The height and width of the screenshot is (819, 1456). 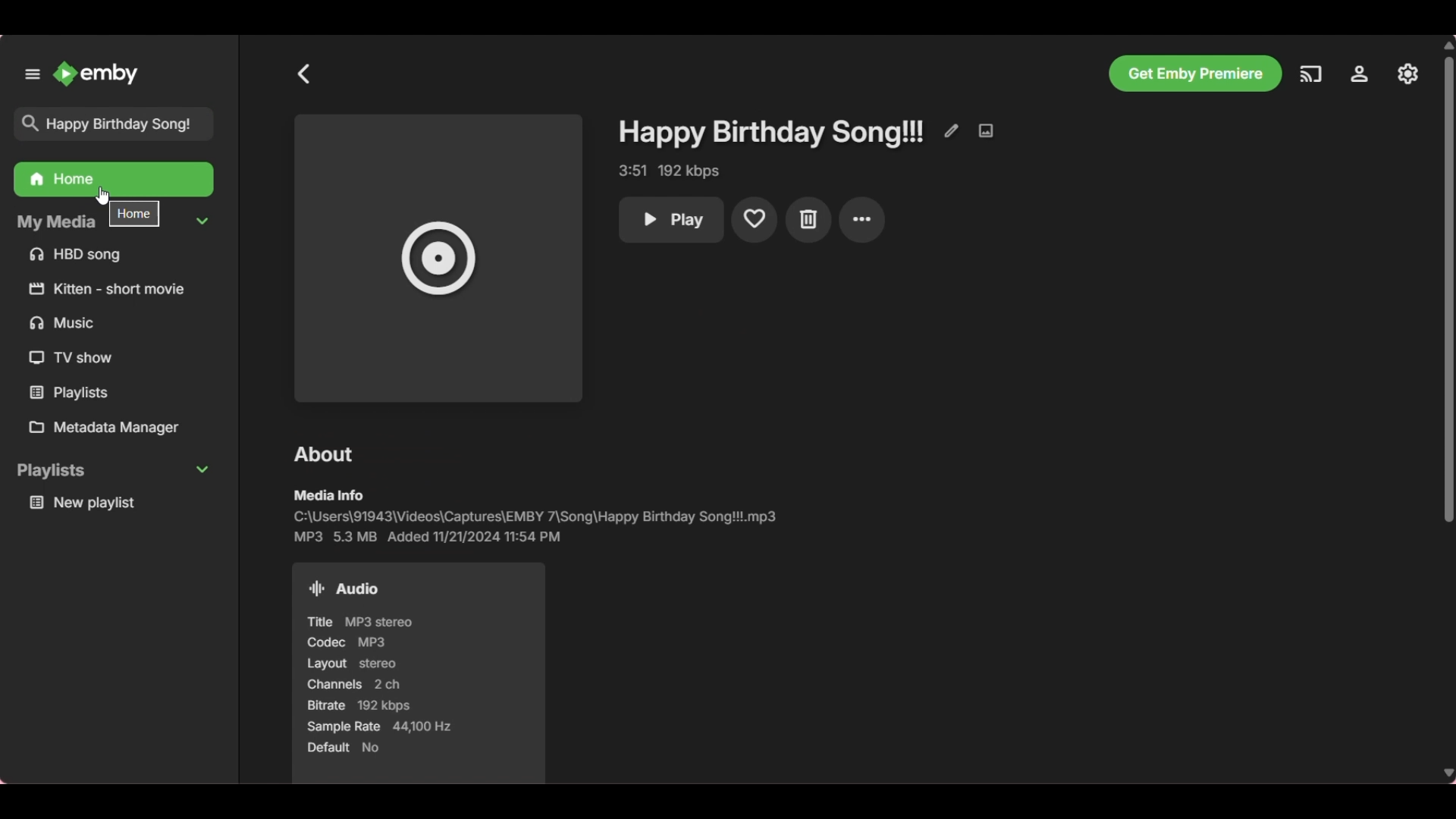 What do you see at coordinates (673, 172) in the screenshot?
I see `3:51 192 kbps` at bounding box center [673, 172].